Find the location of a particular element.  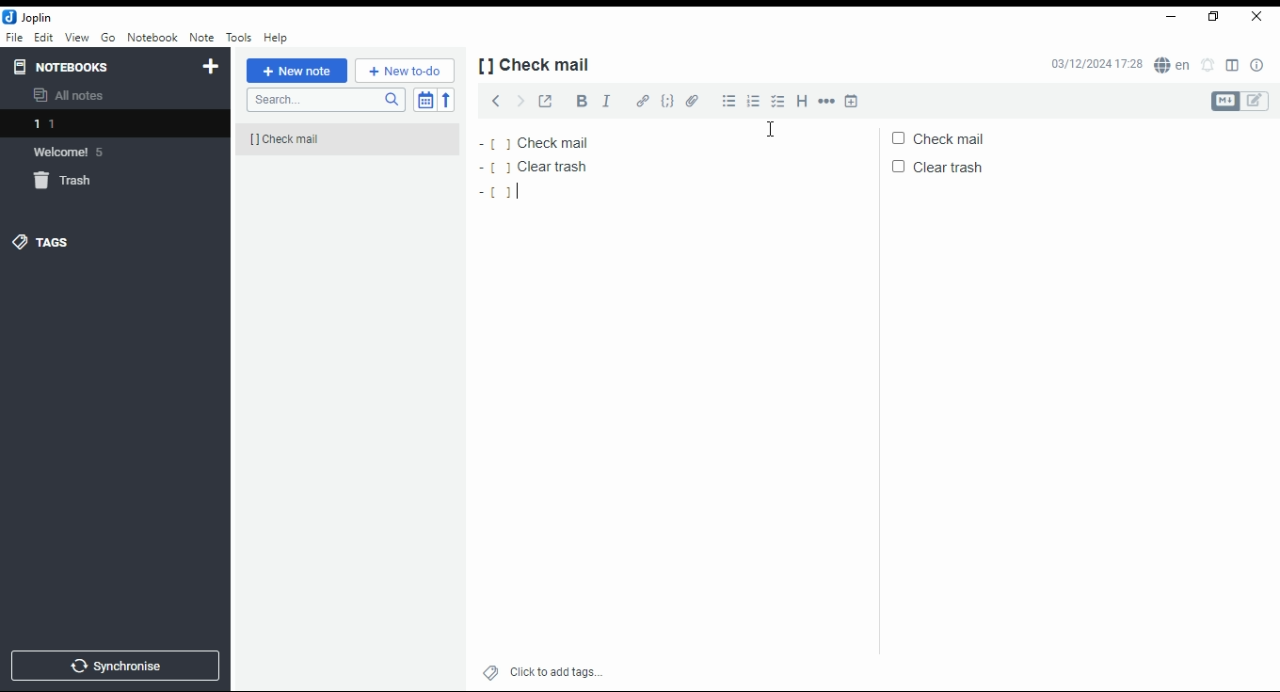

click to add tags is located at coordinates (543, 674).